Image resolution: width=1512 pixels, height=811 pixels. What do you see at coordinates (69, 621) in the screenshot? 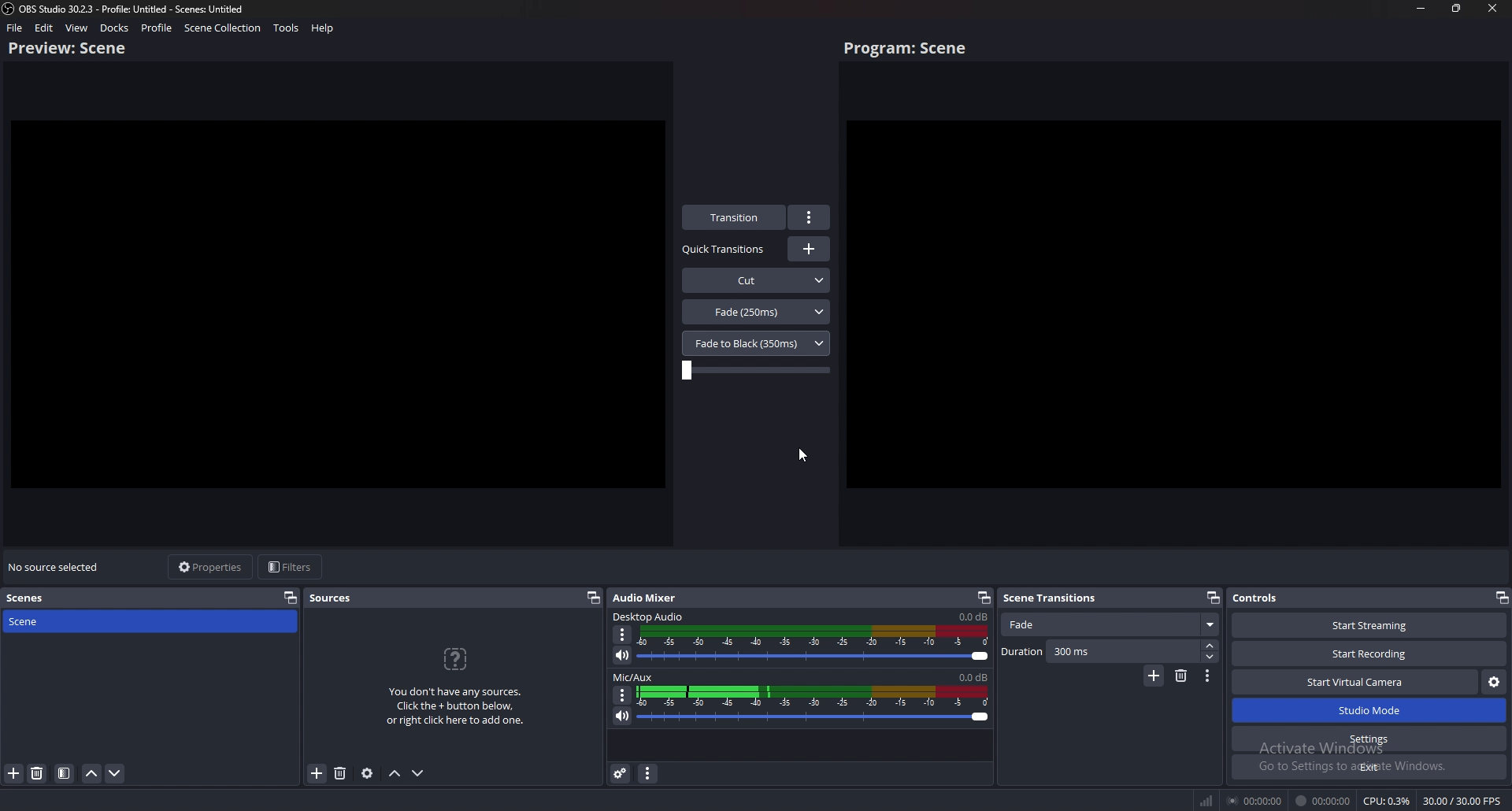
I see `scene` at bounding box center [69, 621].